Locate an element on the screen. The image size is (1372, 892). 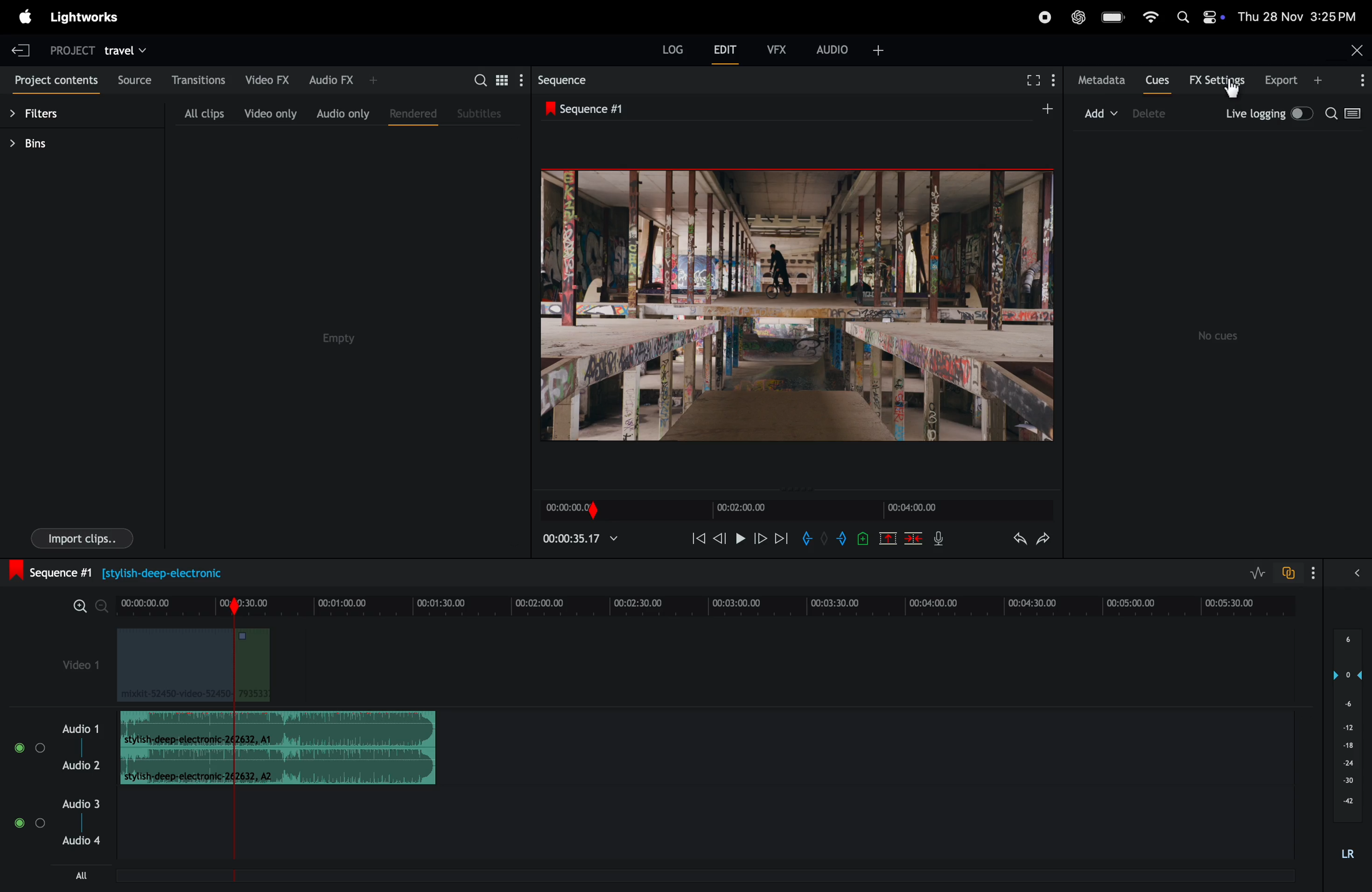
audio 3 is located at coordinates (57, 806).